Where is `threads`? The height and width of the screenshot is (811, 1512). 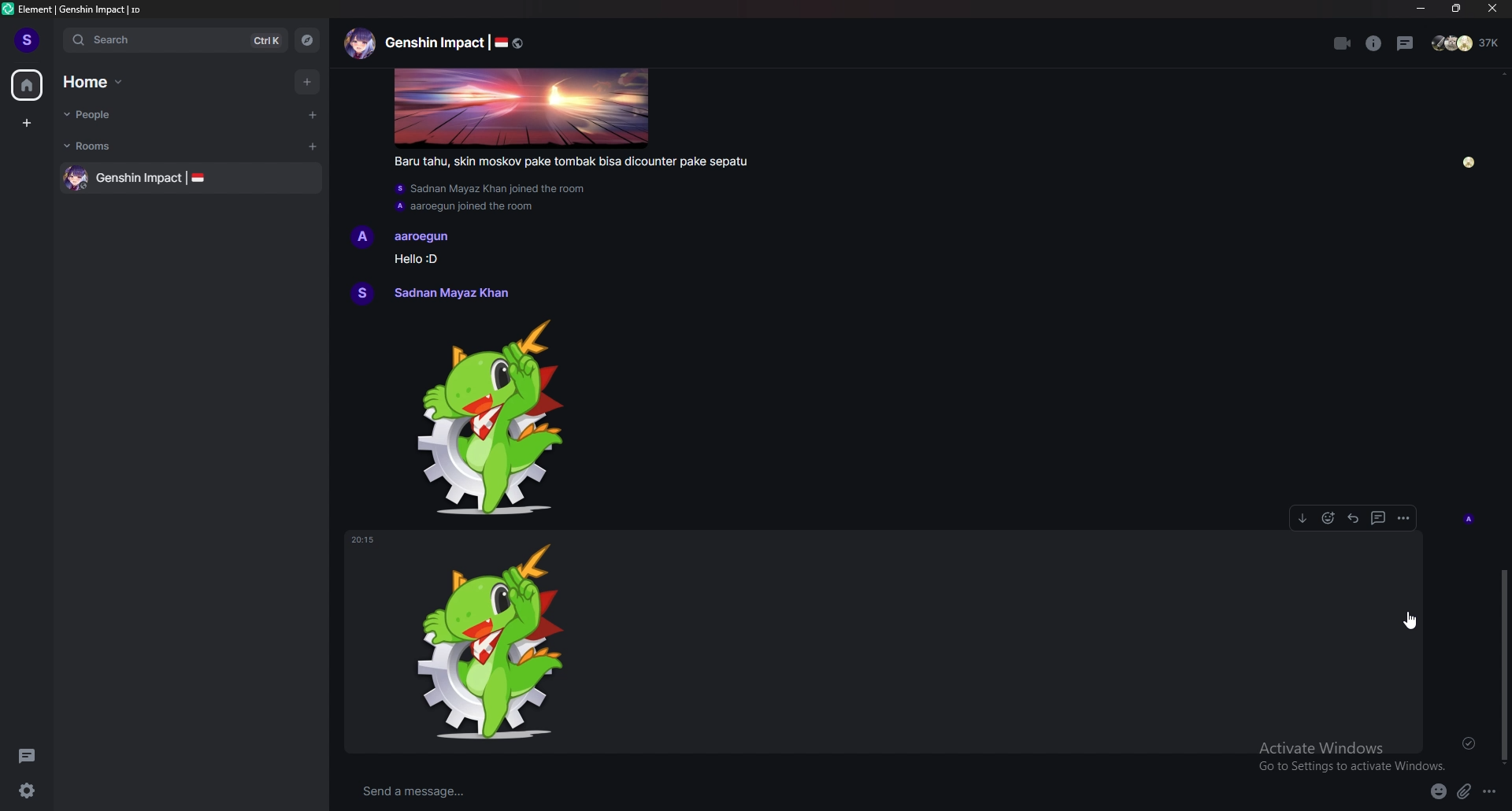
threads is located at coordinates (27, 755).